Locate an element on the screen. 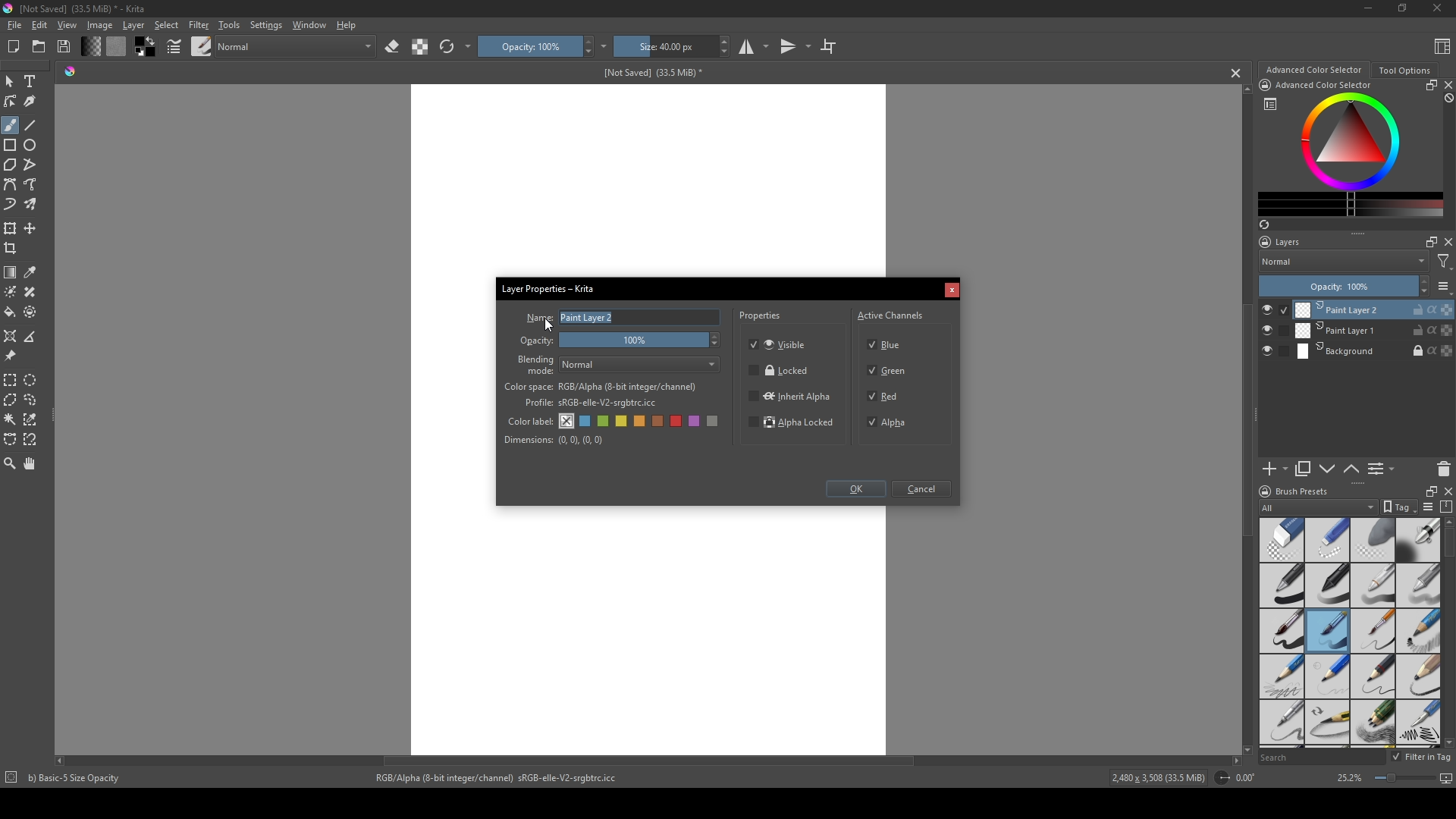 The image size is (1456, 819). copy is located at coordinates (1304, 469).